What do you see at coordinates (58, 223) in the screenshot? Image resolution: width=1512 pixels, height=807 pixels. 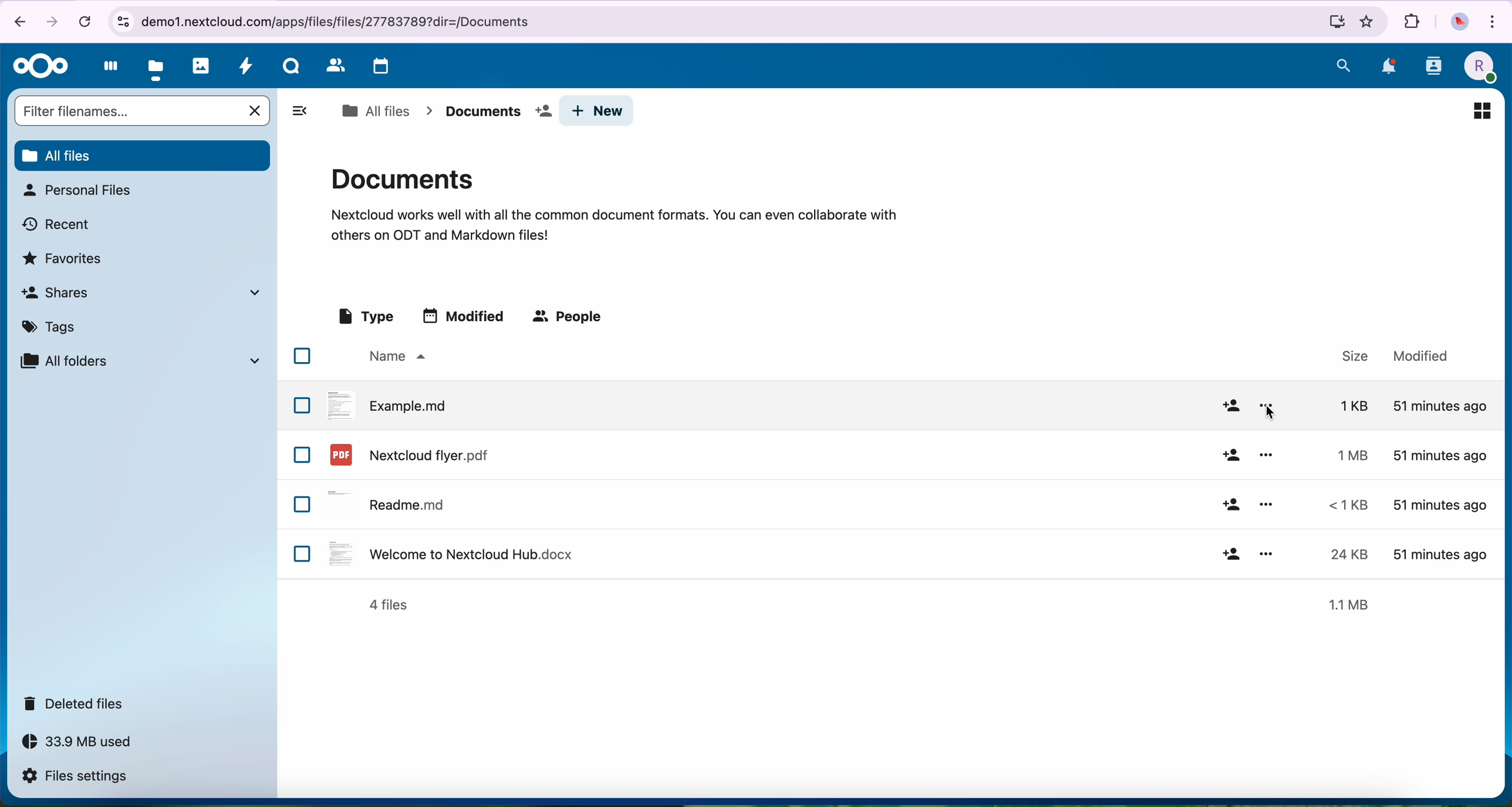 I see `recent` at bounding box center [58, 223].